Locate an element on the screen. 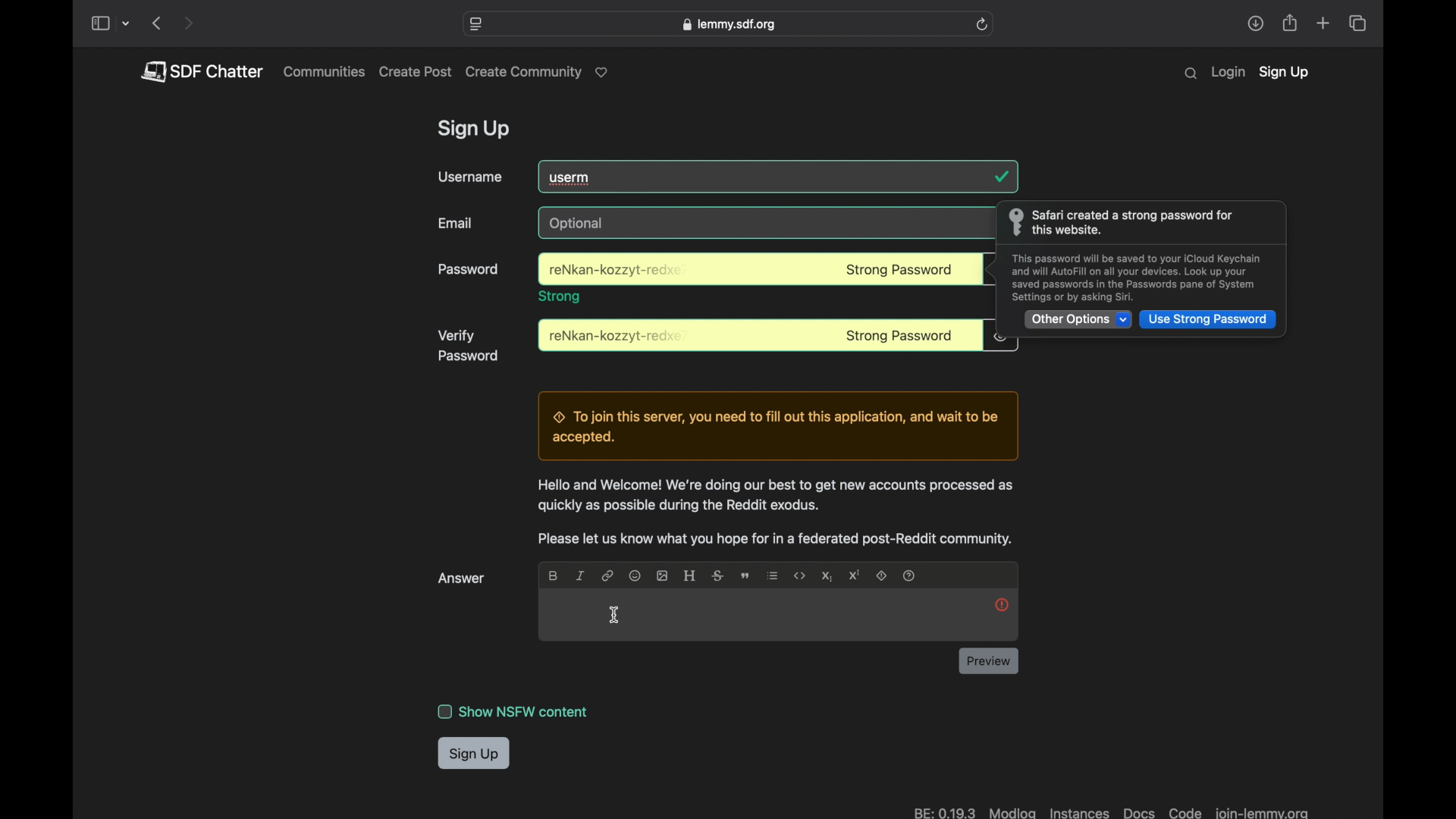 This screenshot has width=1456, height=819. communities is located at coordinates (325, 71).